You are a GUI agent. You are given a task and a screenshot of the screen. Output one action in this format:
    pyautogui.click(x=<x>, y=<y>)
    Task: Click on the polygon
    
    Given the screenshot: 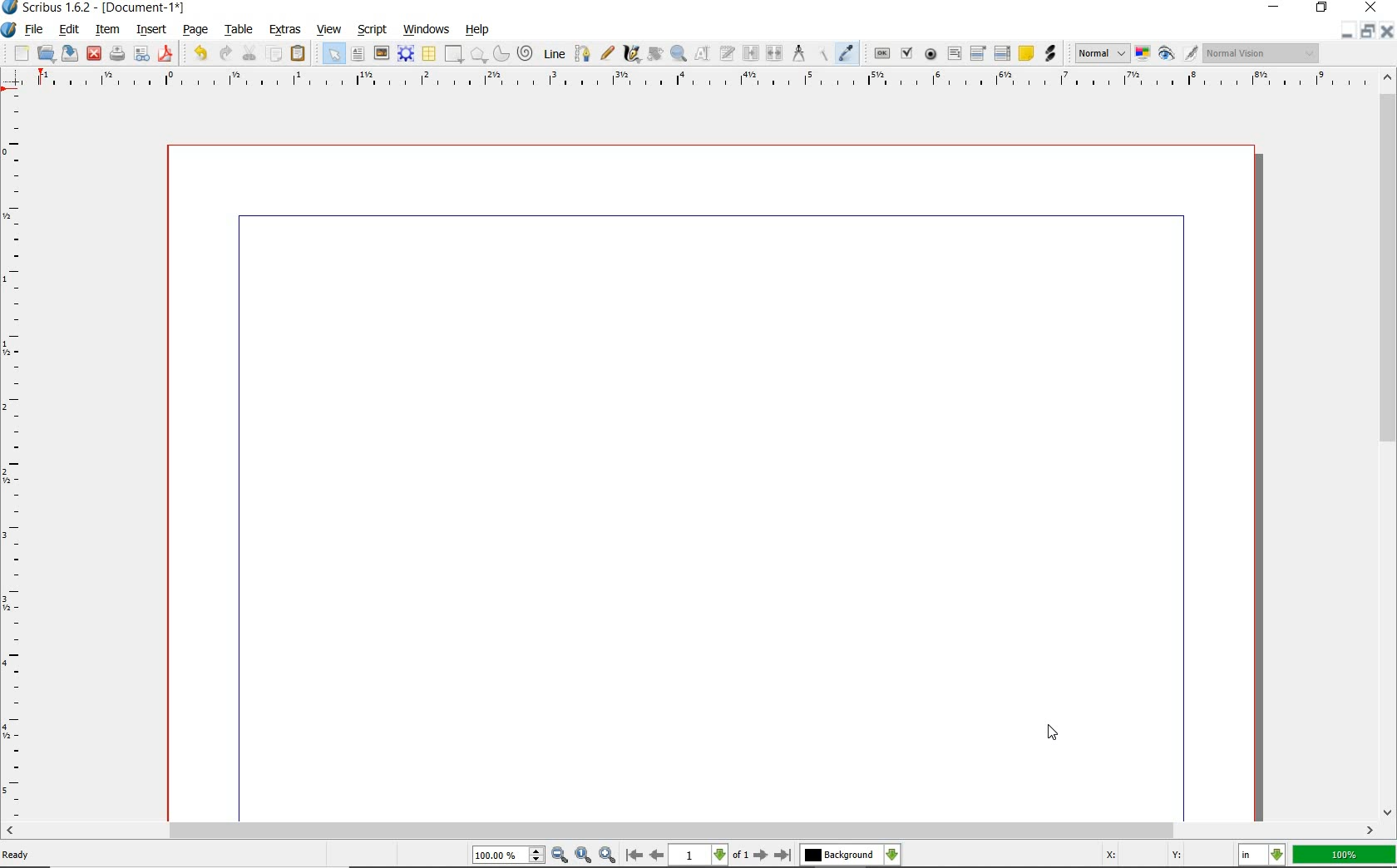 What is the action you would take?
    pyautogui.click(x=478, y=55)
    